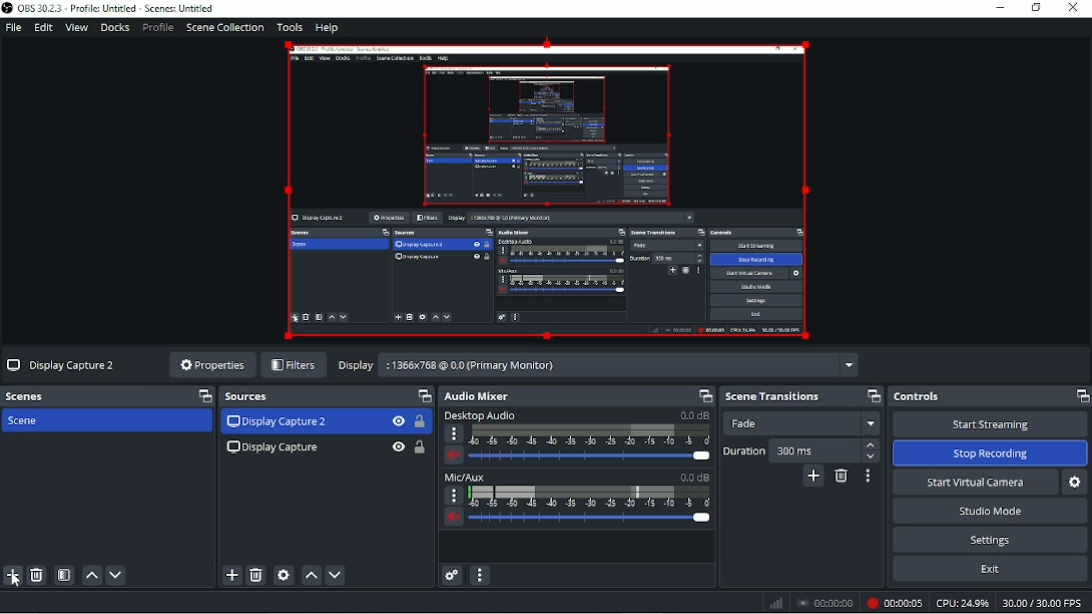 The height and width of the screenshot is (614, 1092). What do you see at coordinates (420, 447) in the screenshot?
I see `Lock` at bounding box center [420, 447].